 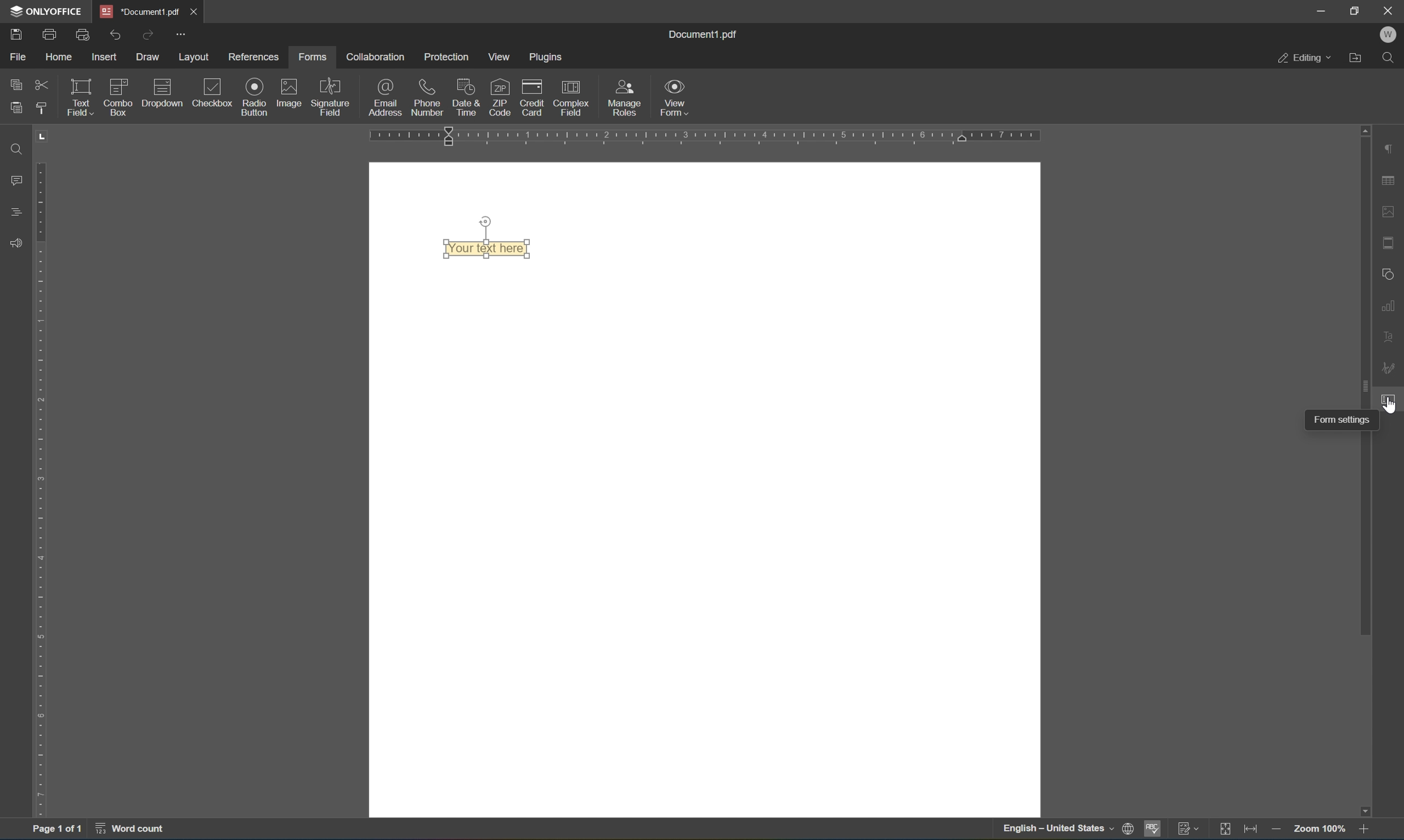 What do you see at coordinates (11, 35) in the screenshot?
I see `save` at bounding box center [11, 35].